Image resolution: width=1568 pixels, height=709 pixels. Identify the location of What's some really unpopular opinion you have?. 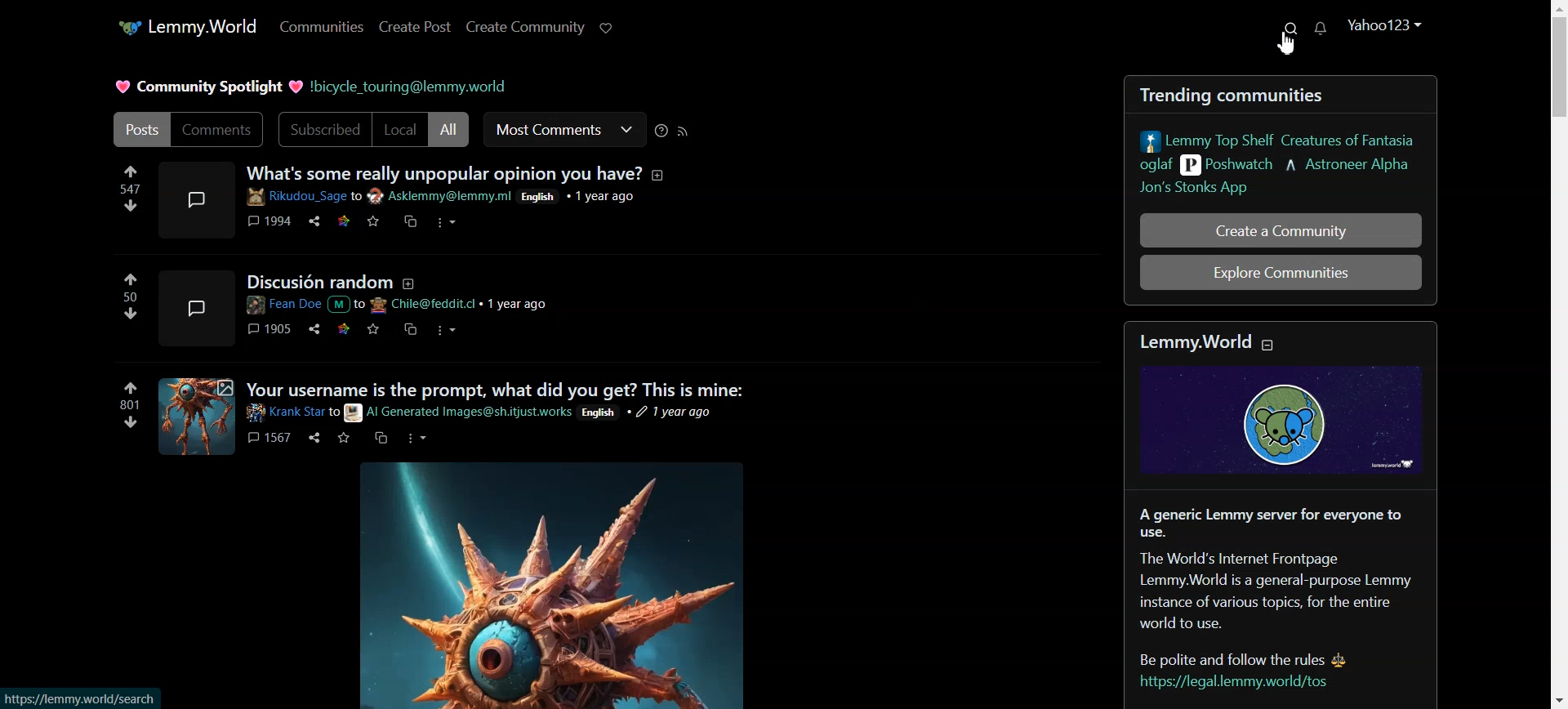
(458, 172).